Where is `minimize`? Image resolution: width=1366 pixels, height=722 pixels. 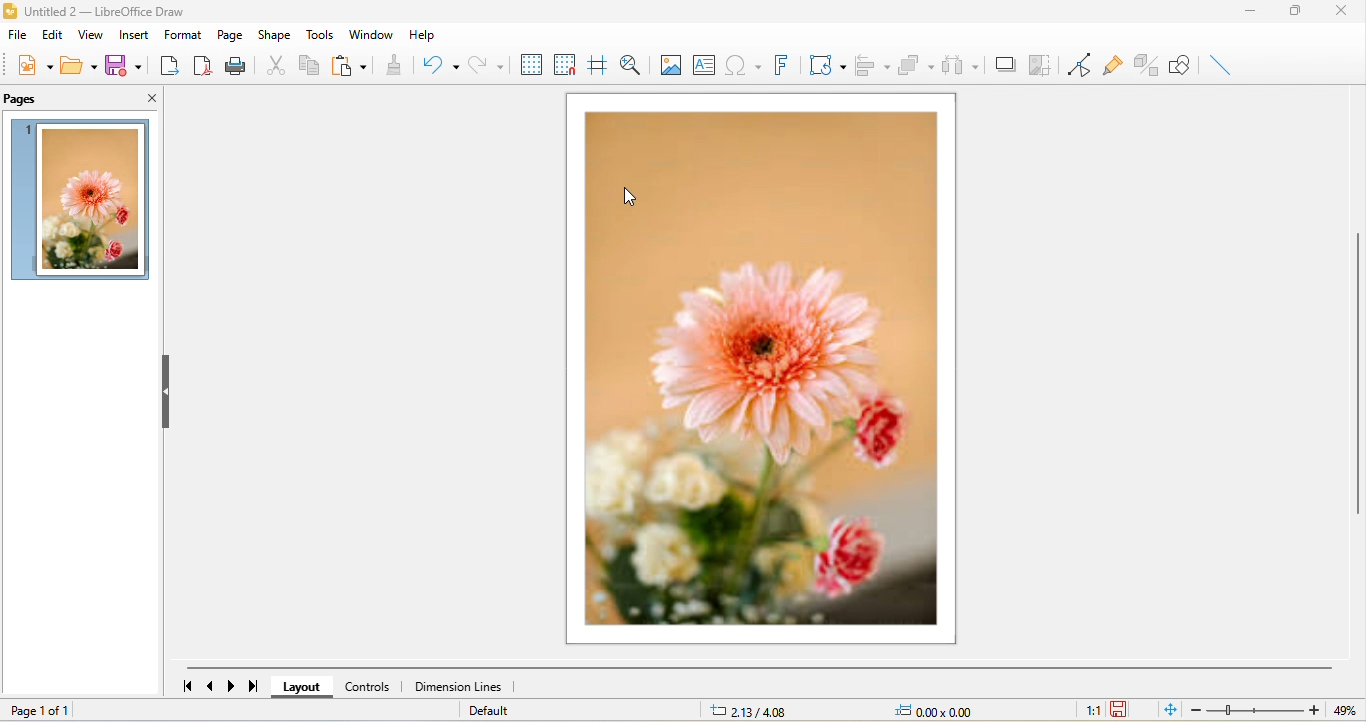 minimize is located at coordinates (1258, 13).